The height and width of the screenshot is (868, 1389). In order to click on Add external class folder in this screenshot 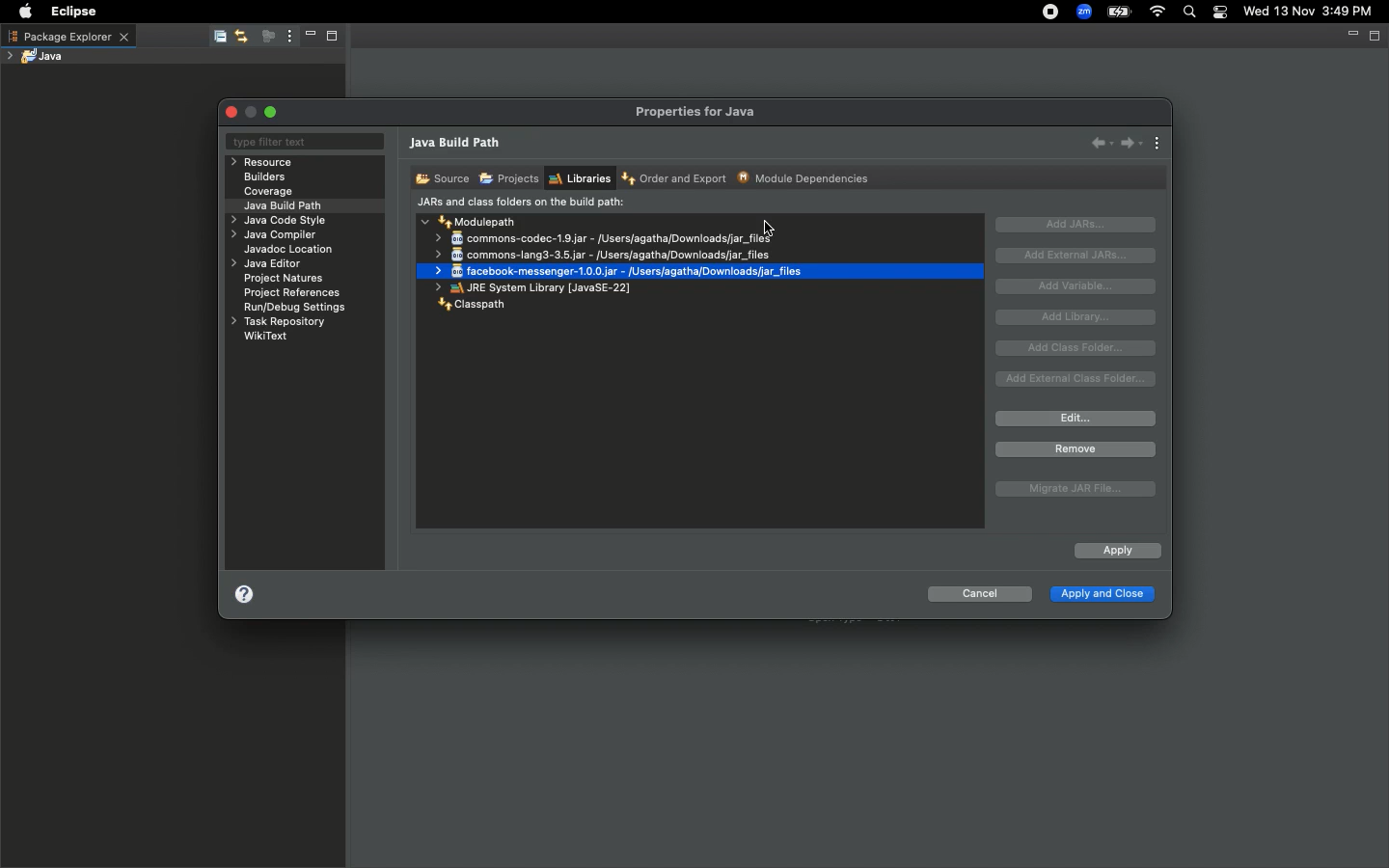, I will do `click(1077, 379)`.